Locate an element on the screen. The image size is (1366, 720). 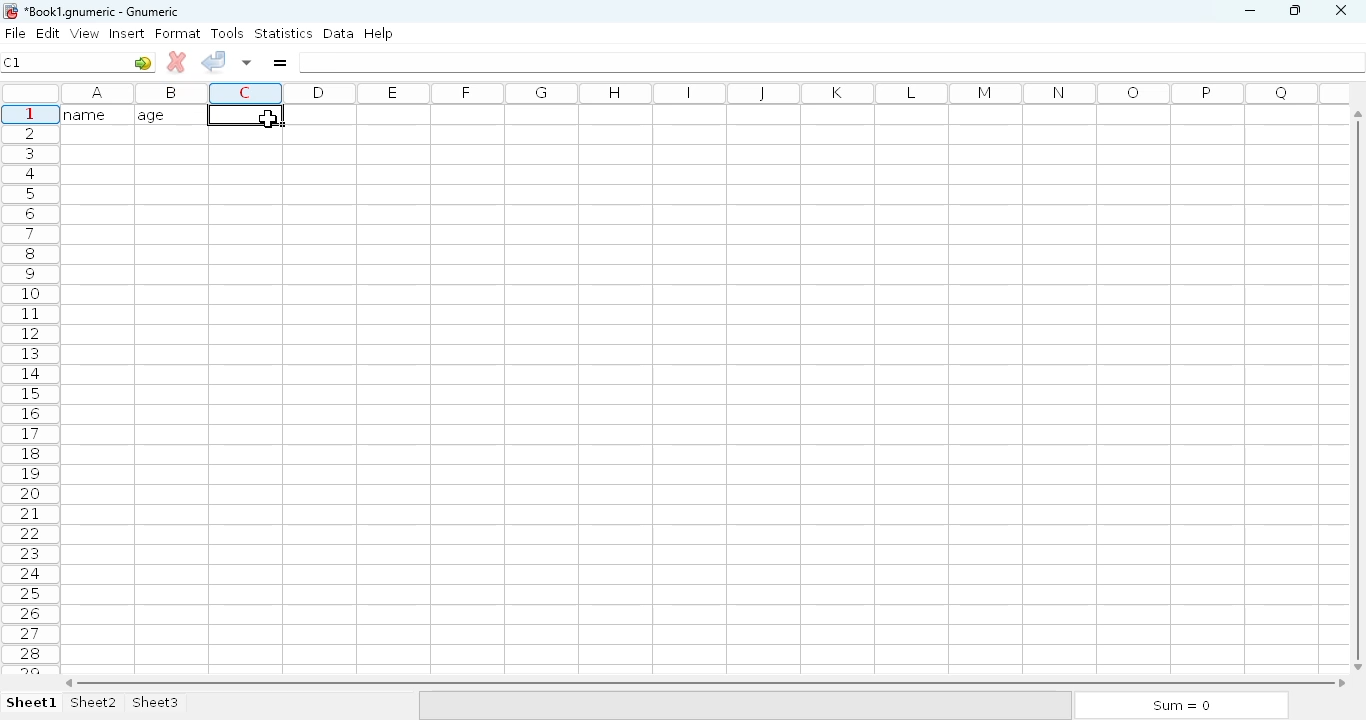
title is located at coordinates (103, 12).